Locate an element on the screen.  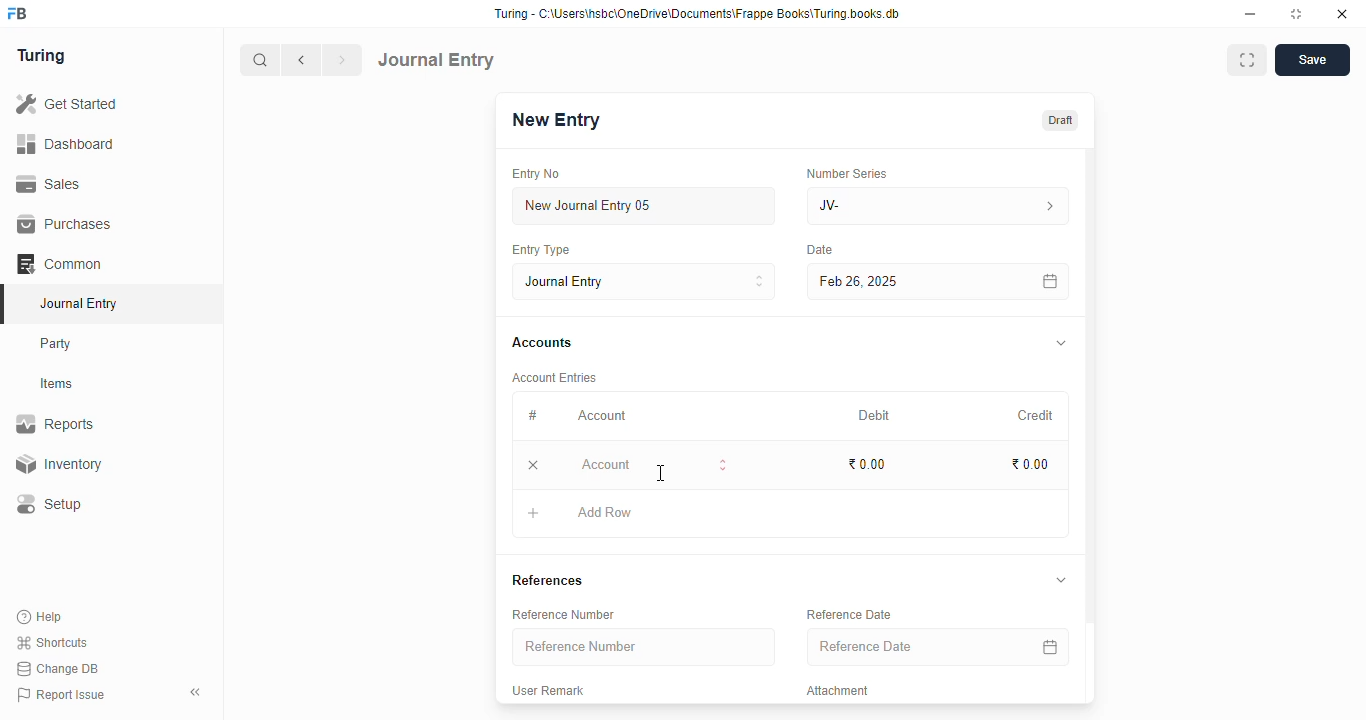
accounts is located at coordinates (542, 343).